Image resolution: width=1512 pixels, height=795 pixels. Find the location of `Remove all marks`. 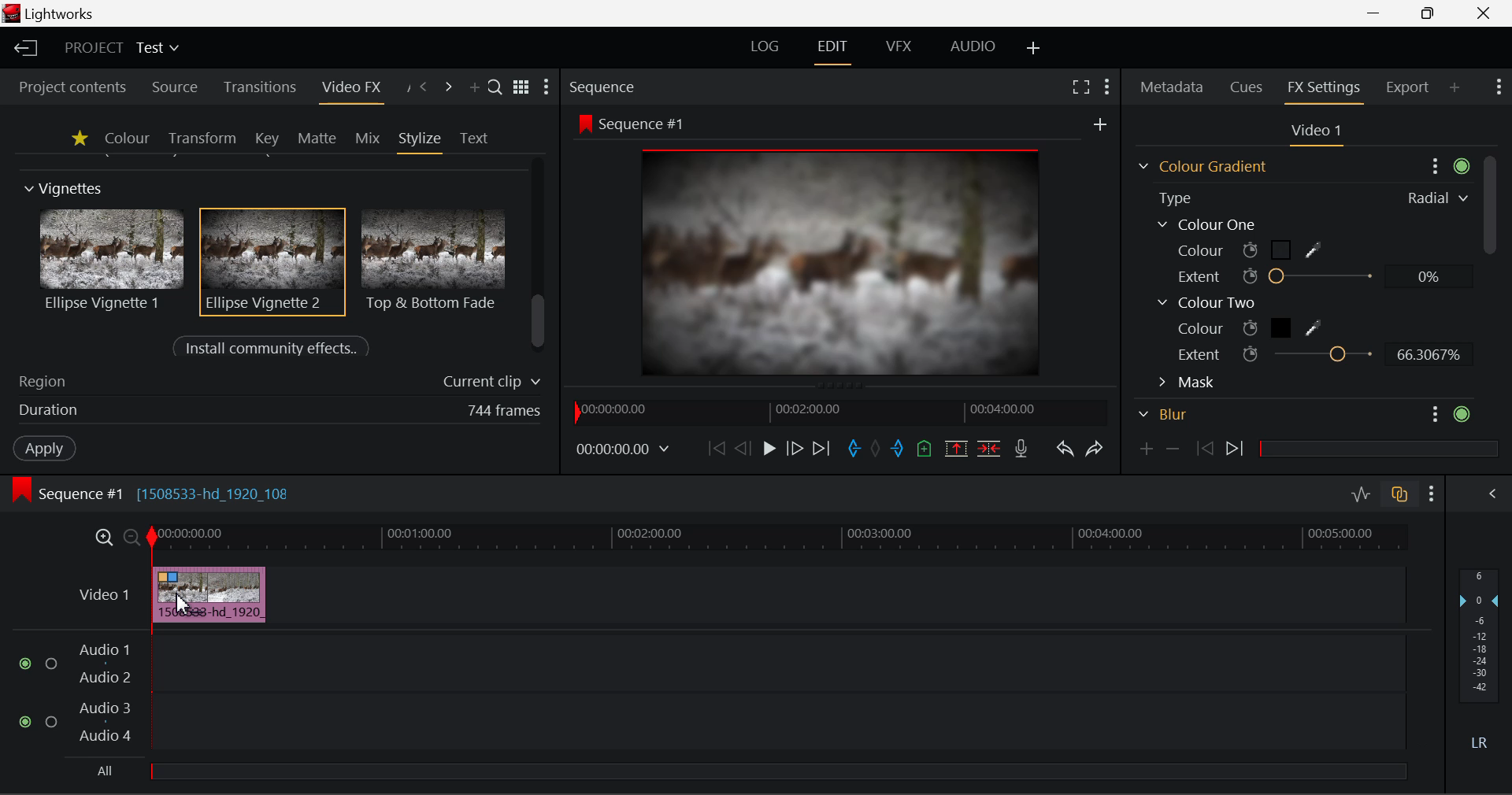

Remove all marks is located at coordinates (876, 446).